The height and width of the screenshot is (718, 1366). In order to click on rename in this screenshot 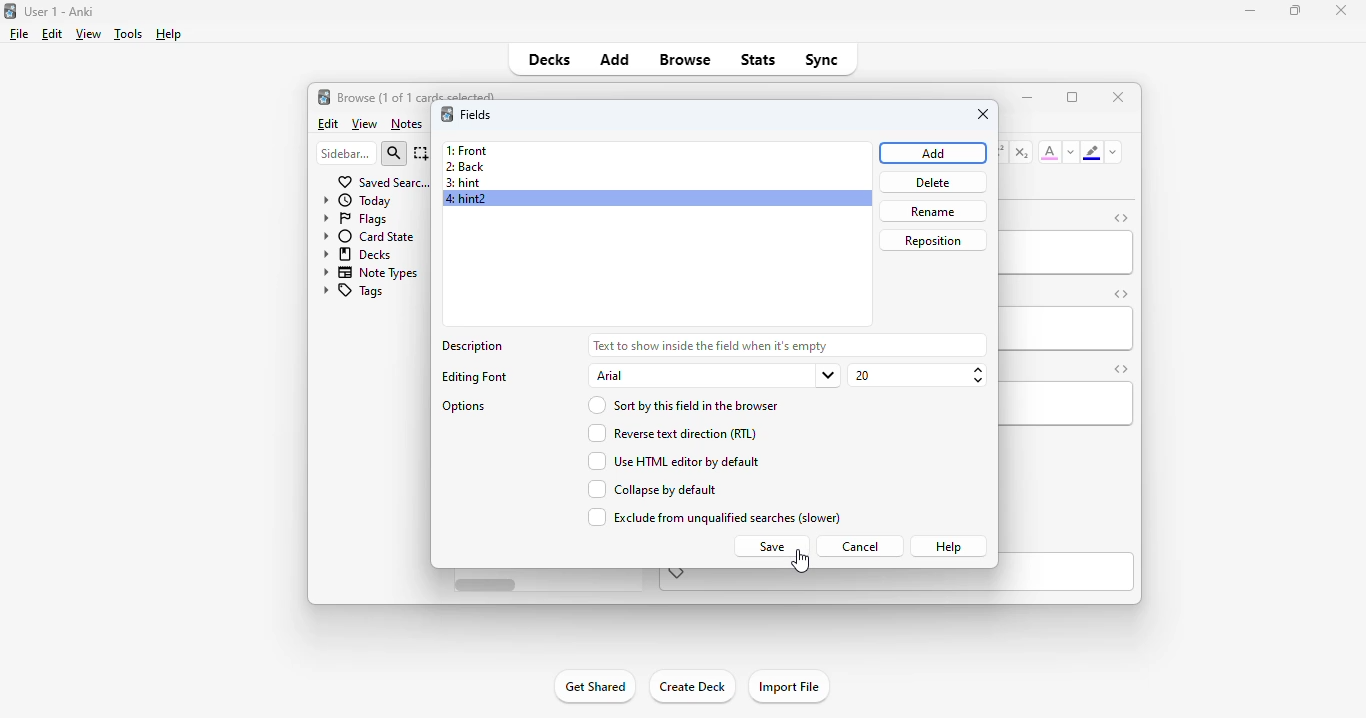, I will do `click(932, 211)`.